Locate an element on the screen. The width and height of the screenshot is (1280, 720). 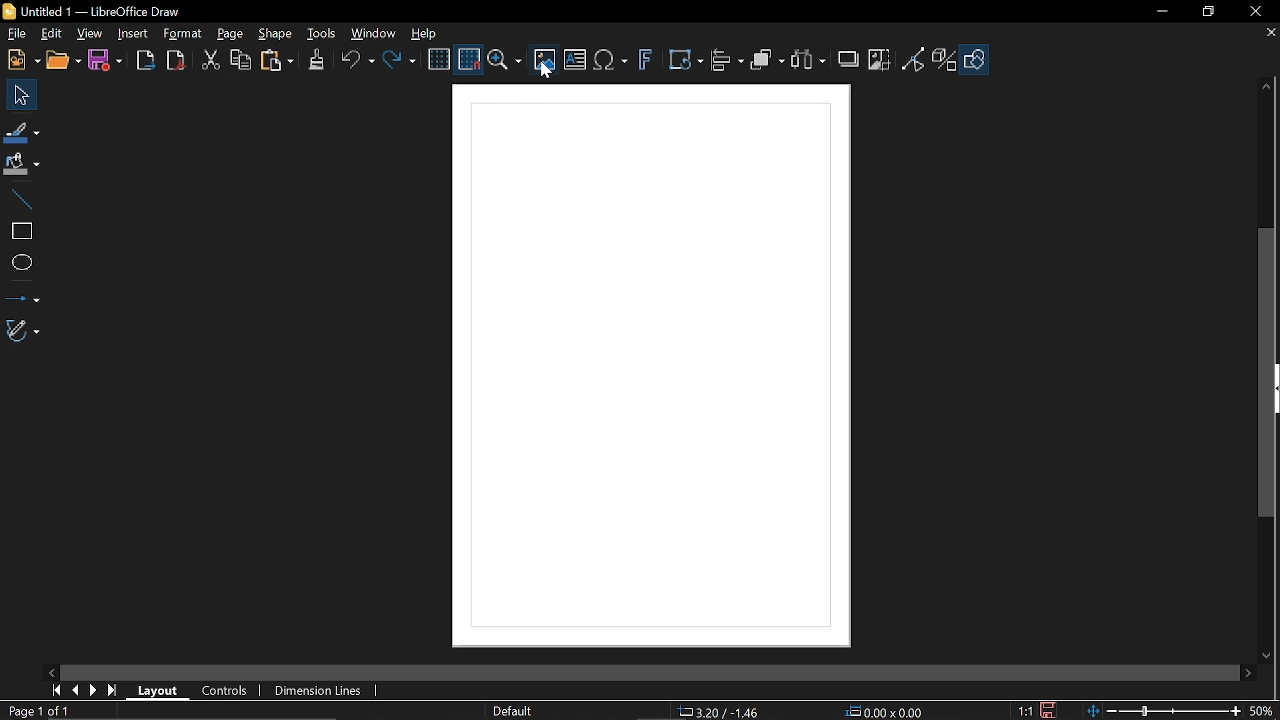
View is located at coordinates (91, 34).